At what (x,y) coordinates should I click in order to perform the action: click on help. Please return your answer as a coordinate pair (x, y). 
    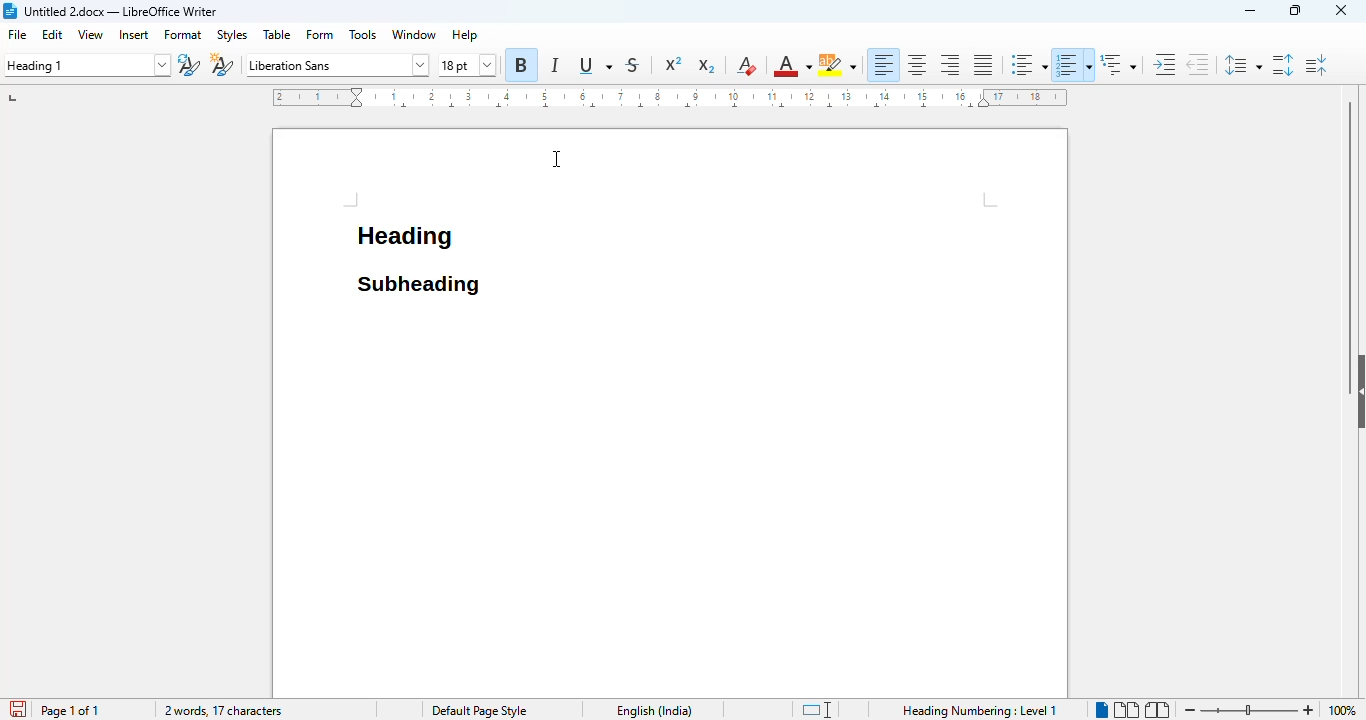
    Looking at the image, I should click on (464, 34).